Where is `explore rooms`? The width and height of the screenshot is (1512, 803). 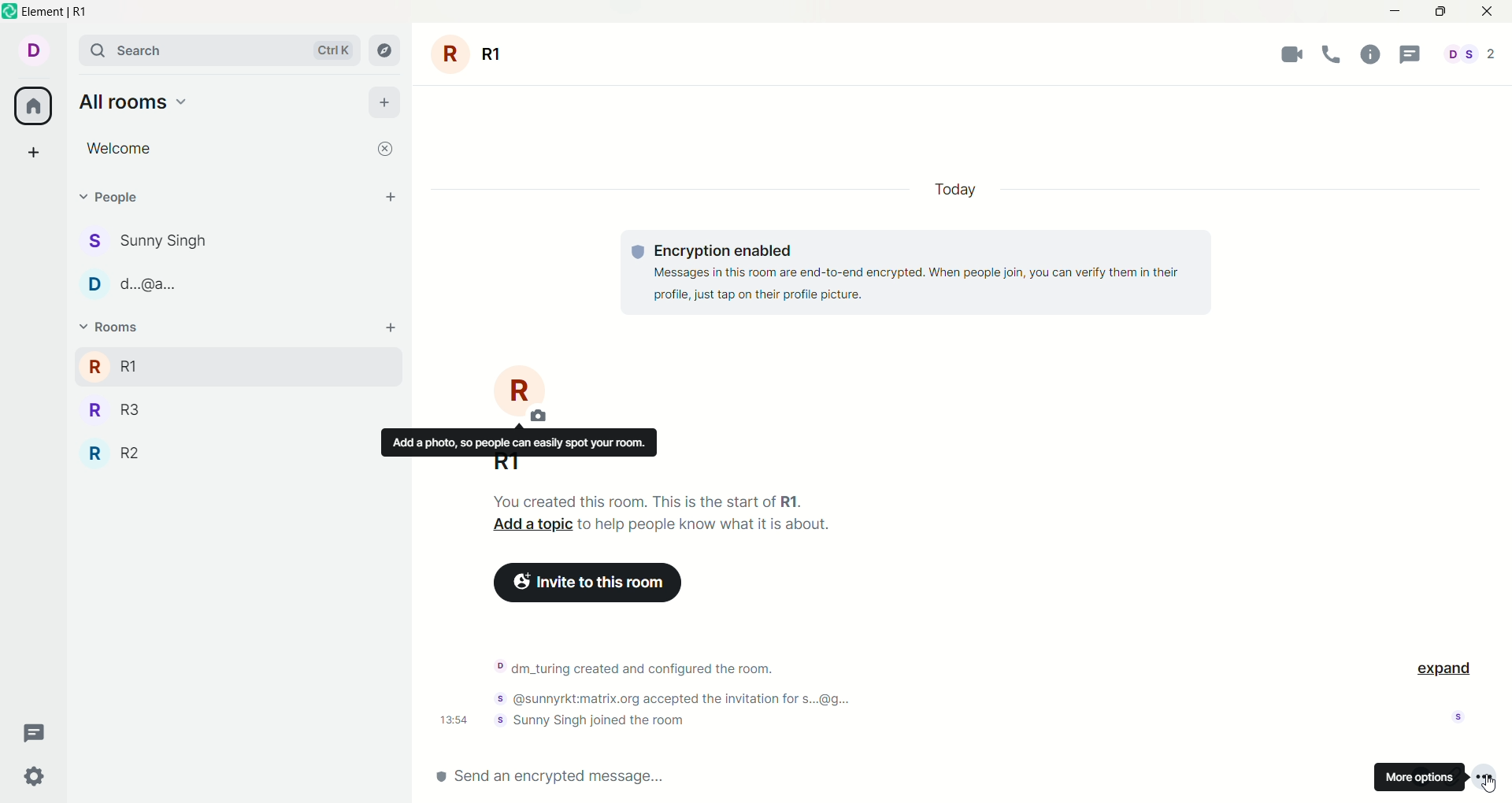 explore rooms is located at coordinates (385, 50).